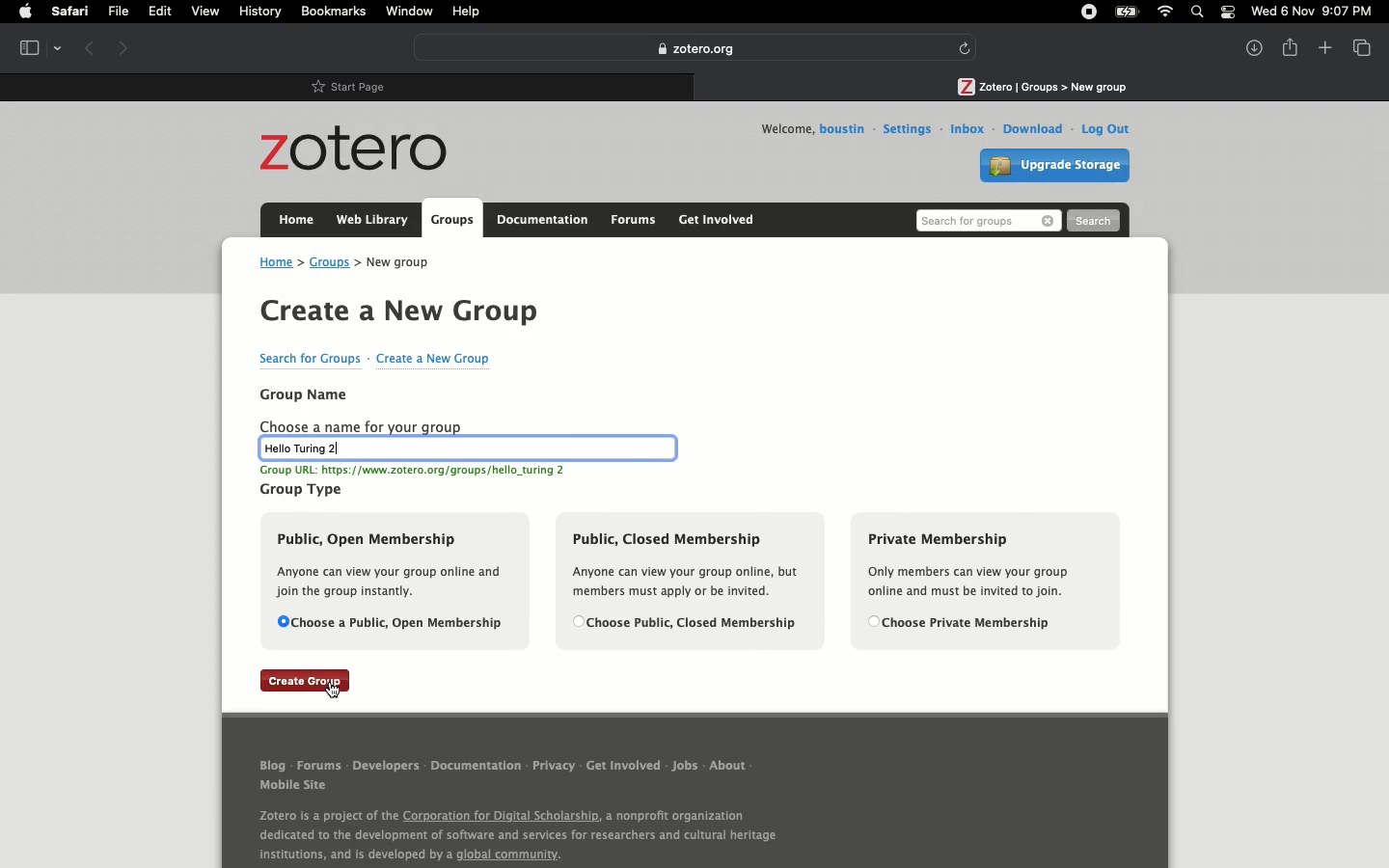  Describe the element at coordinates (308, 359) in the screenshot. I see `Search for groups` at that location.